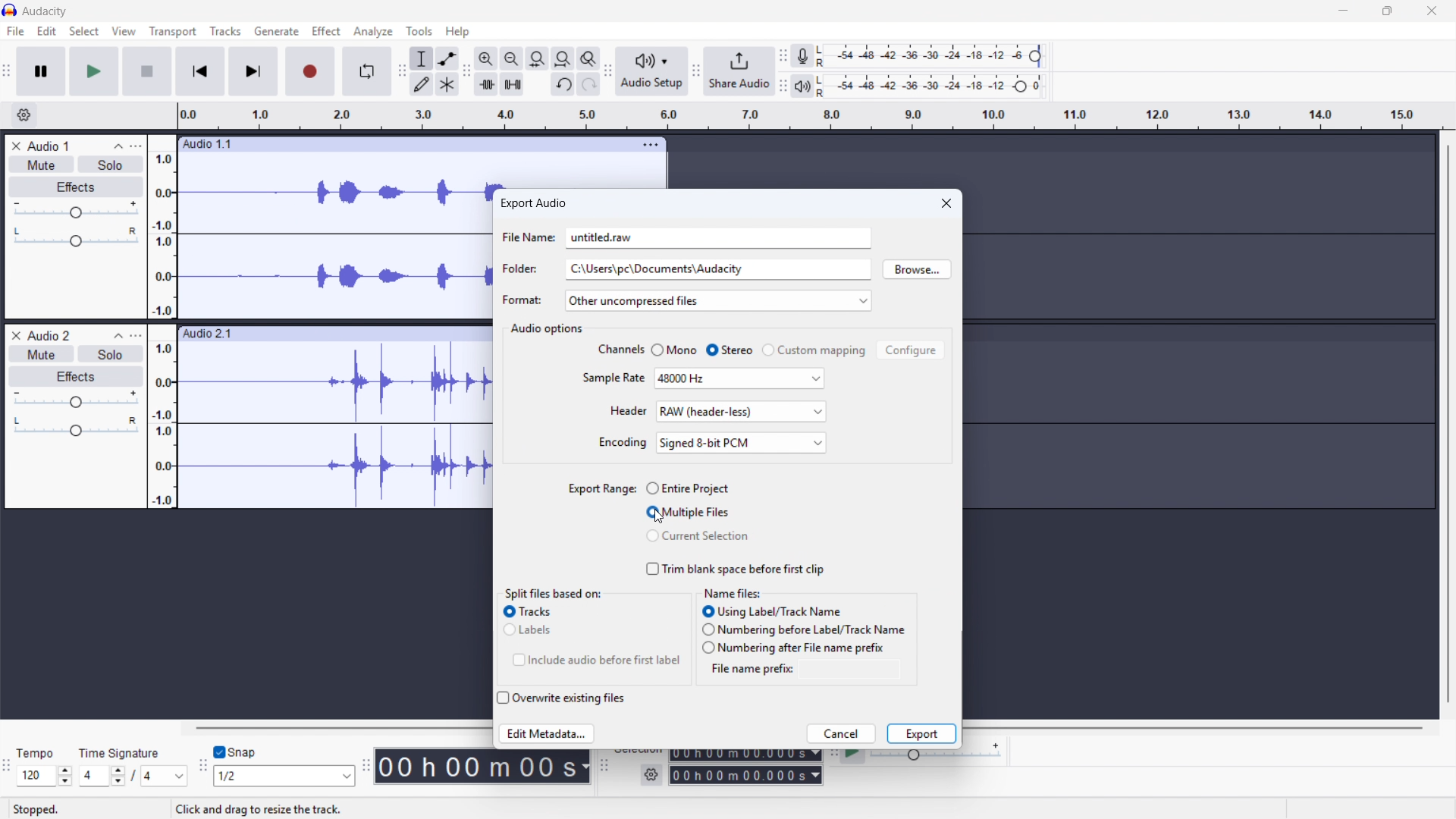 Image resolution: width=1456 pixels, height=819 pixels. What do you see at coordinates (16, 334) in the screenshot?
I see `Remove track ` at bounding box center [16, 334].